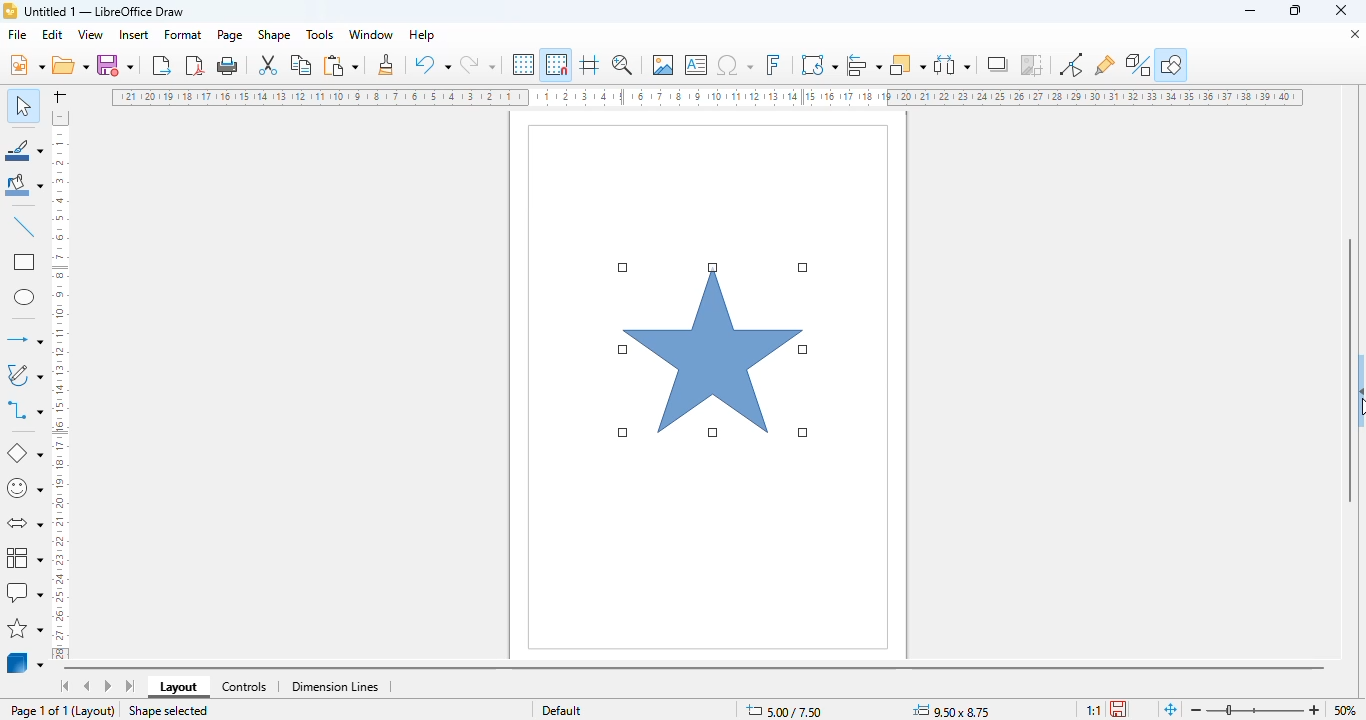 This screenshot has height=720, width=1366. I want to click on toggle point edit mode, so click(1072, 65).